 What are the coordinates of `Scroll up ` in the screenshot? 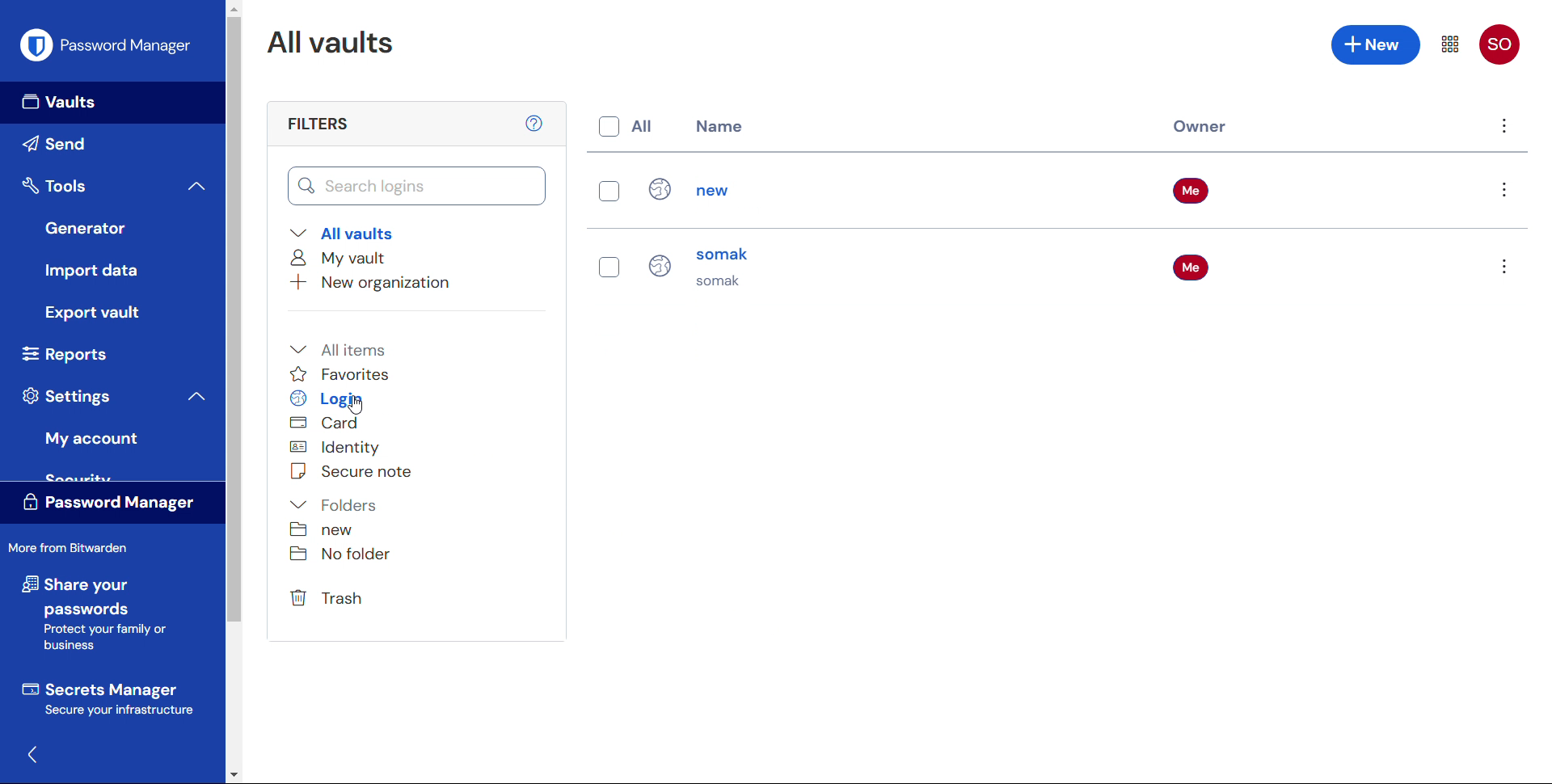 It's located at (232, 6).